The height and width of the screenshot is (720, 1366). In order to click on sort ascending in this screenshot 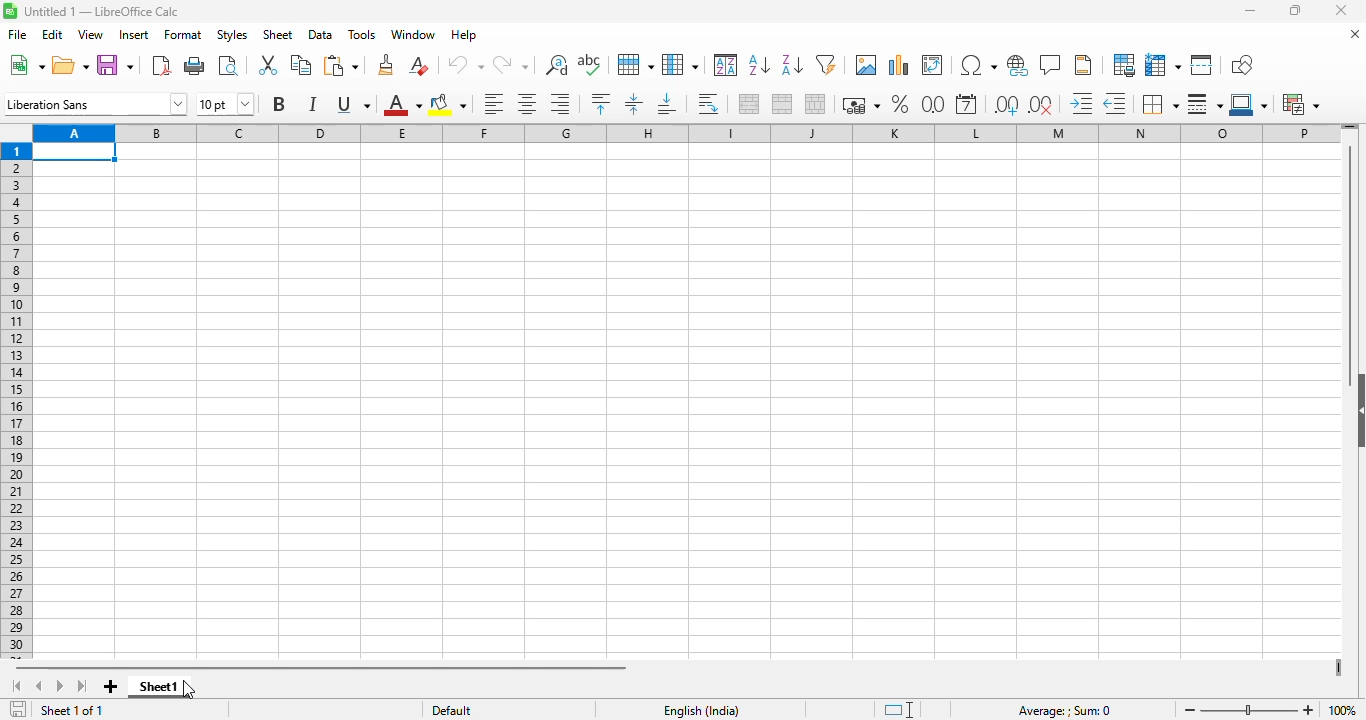, I will do `click(759, 65)`.